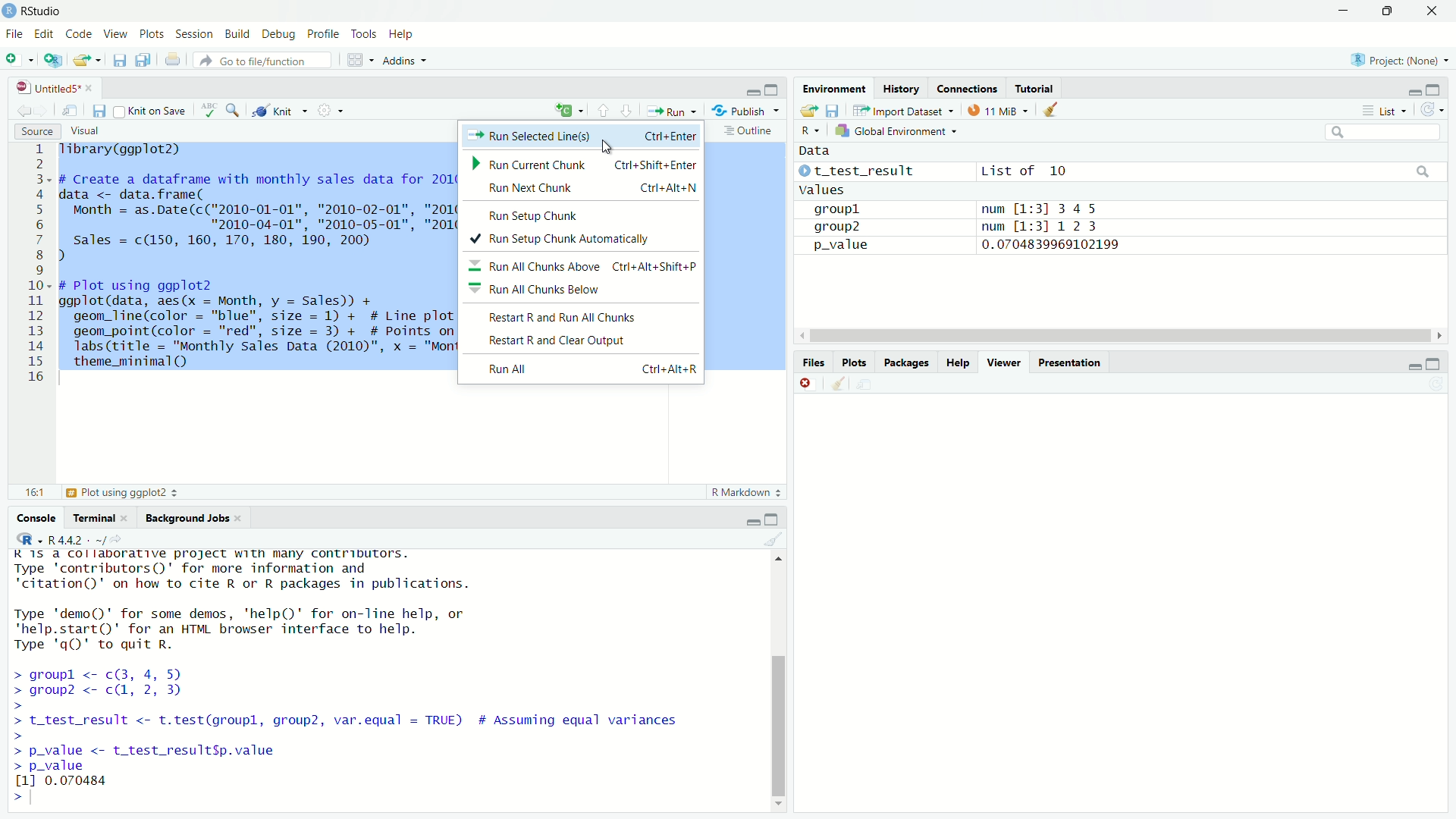  What do you see at coordinates (902, 87) in the screenshot?
I see `History` at bounding box center [902, 87].